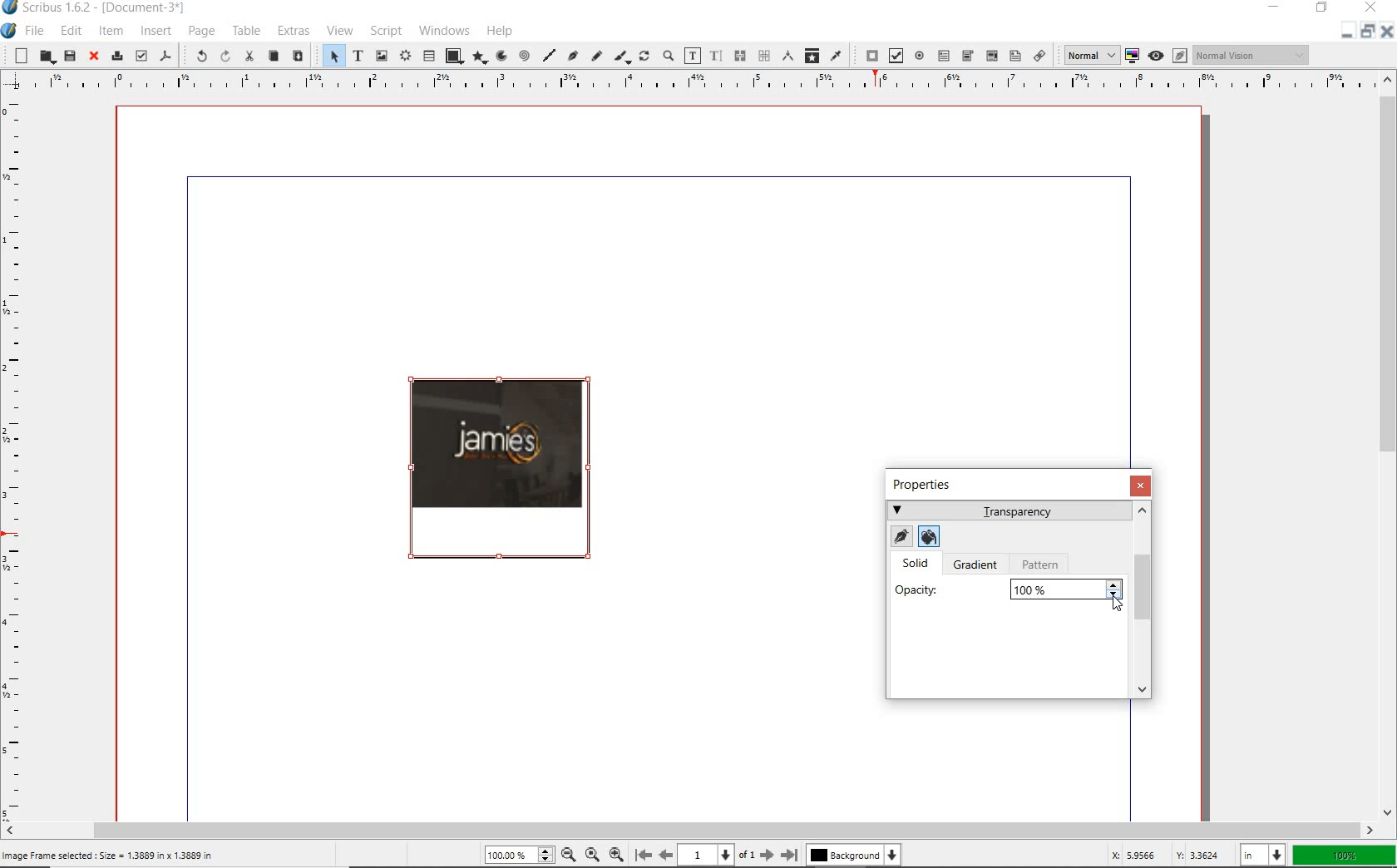  Describe the element at coordinates (979, 566) in the screenshot. I see `GRADIENT` at that location.